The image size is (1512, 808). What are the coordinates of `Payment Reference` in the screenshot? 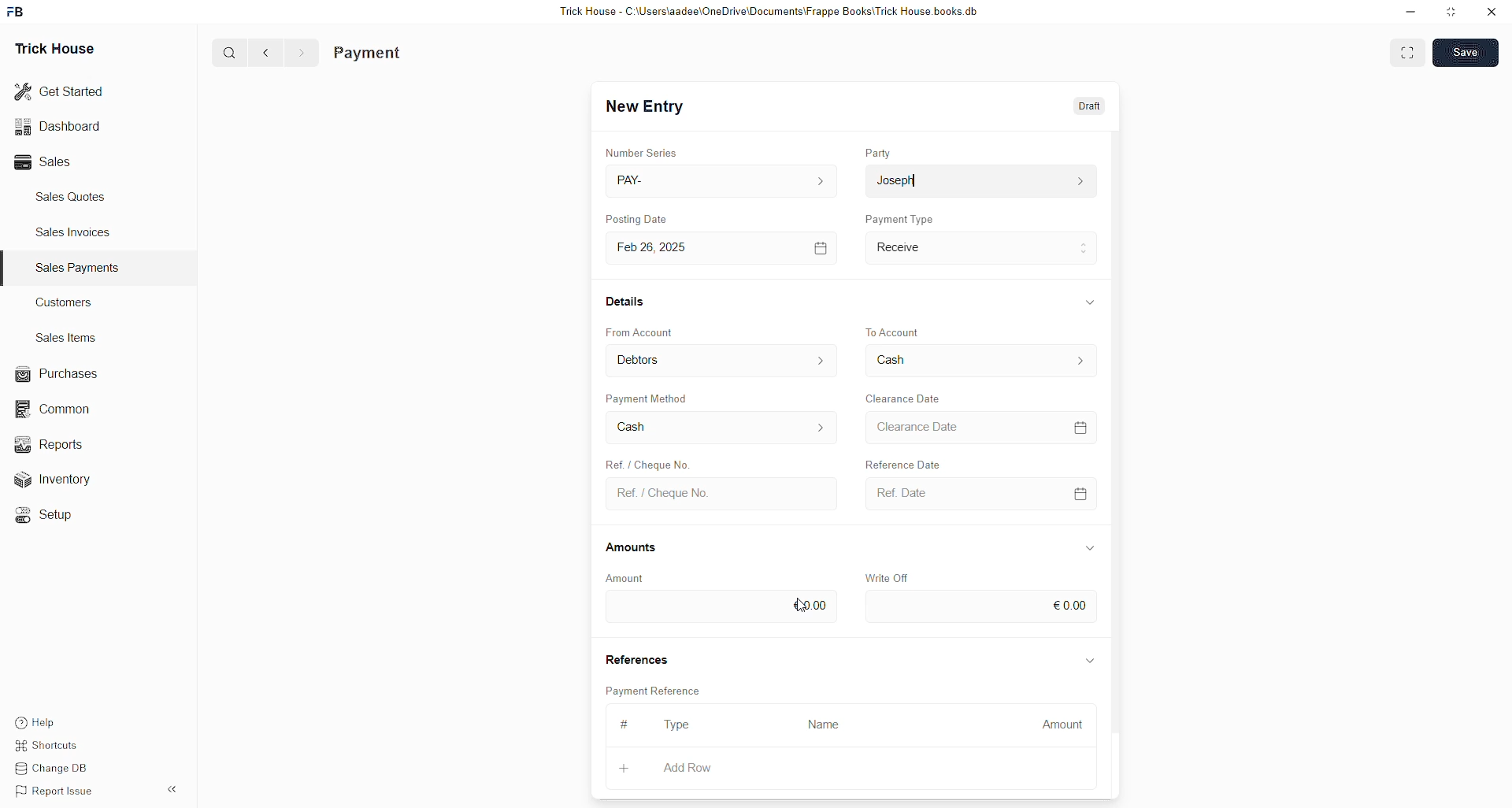 It's located at (656, 689).